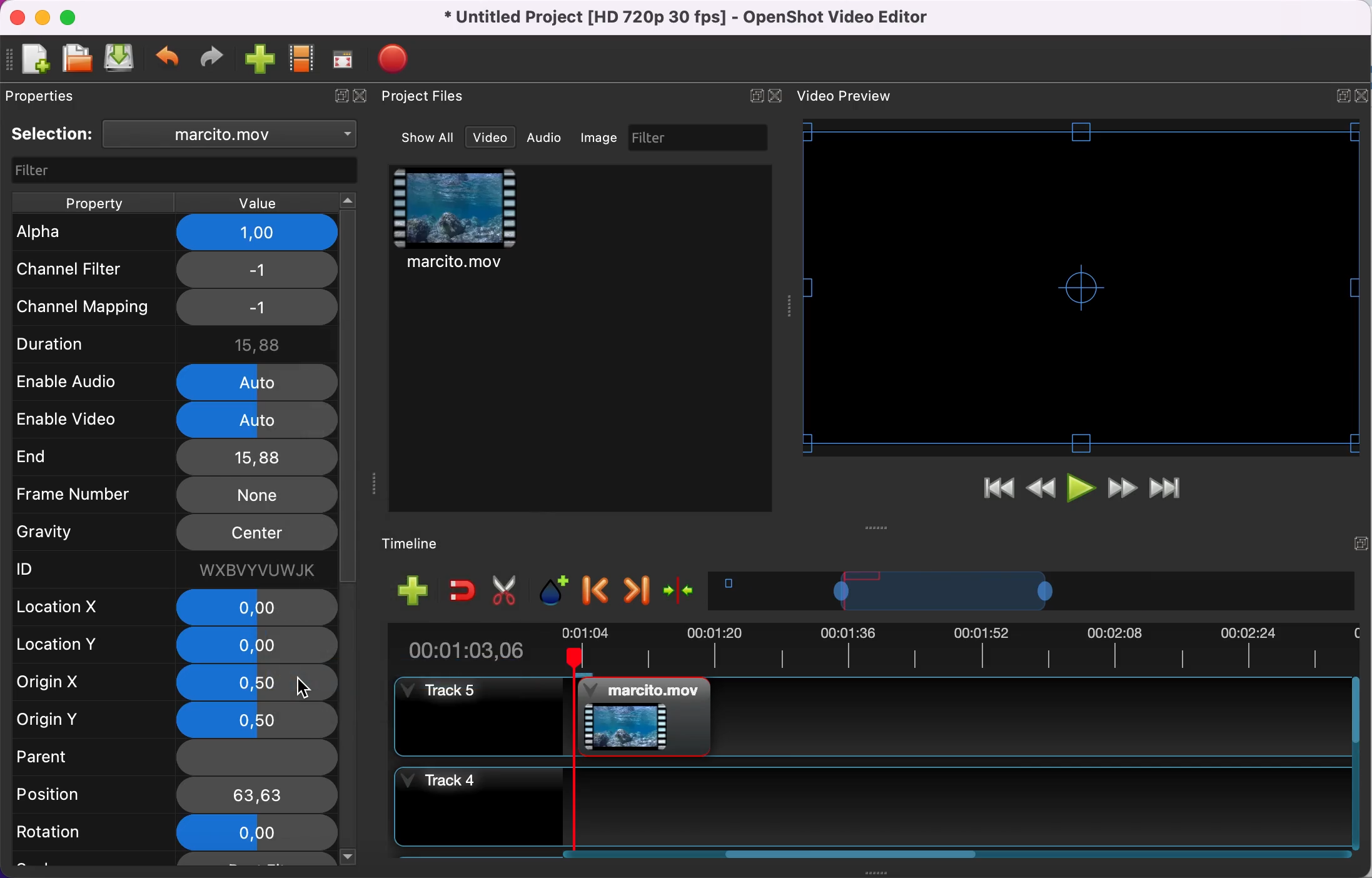  I want to click on close, so click(17, 18).